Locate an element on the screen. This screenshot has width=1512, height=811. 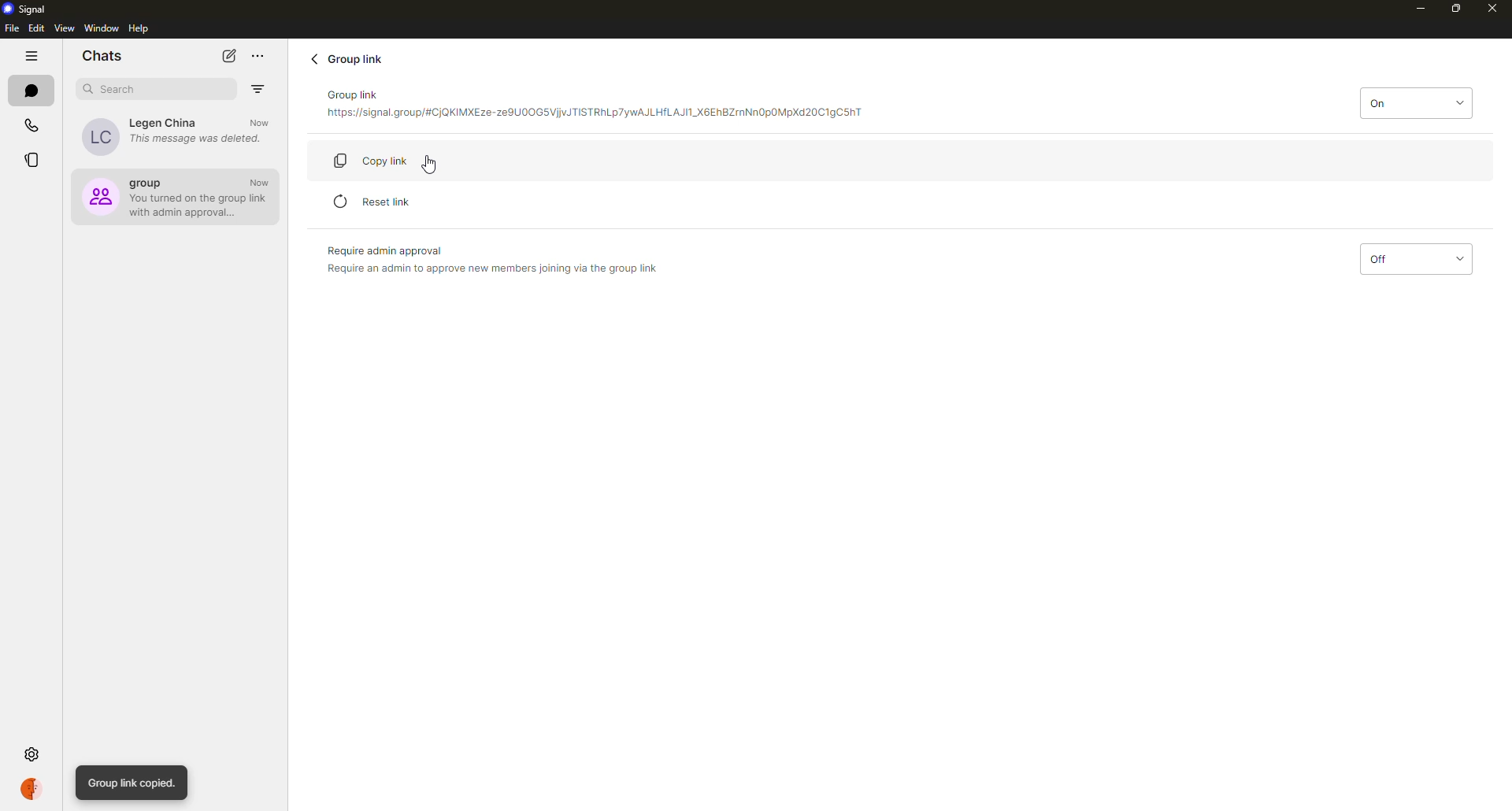
settings is located at coordinates (33, 754).